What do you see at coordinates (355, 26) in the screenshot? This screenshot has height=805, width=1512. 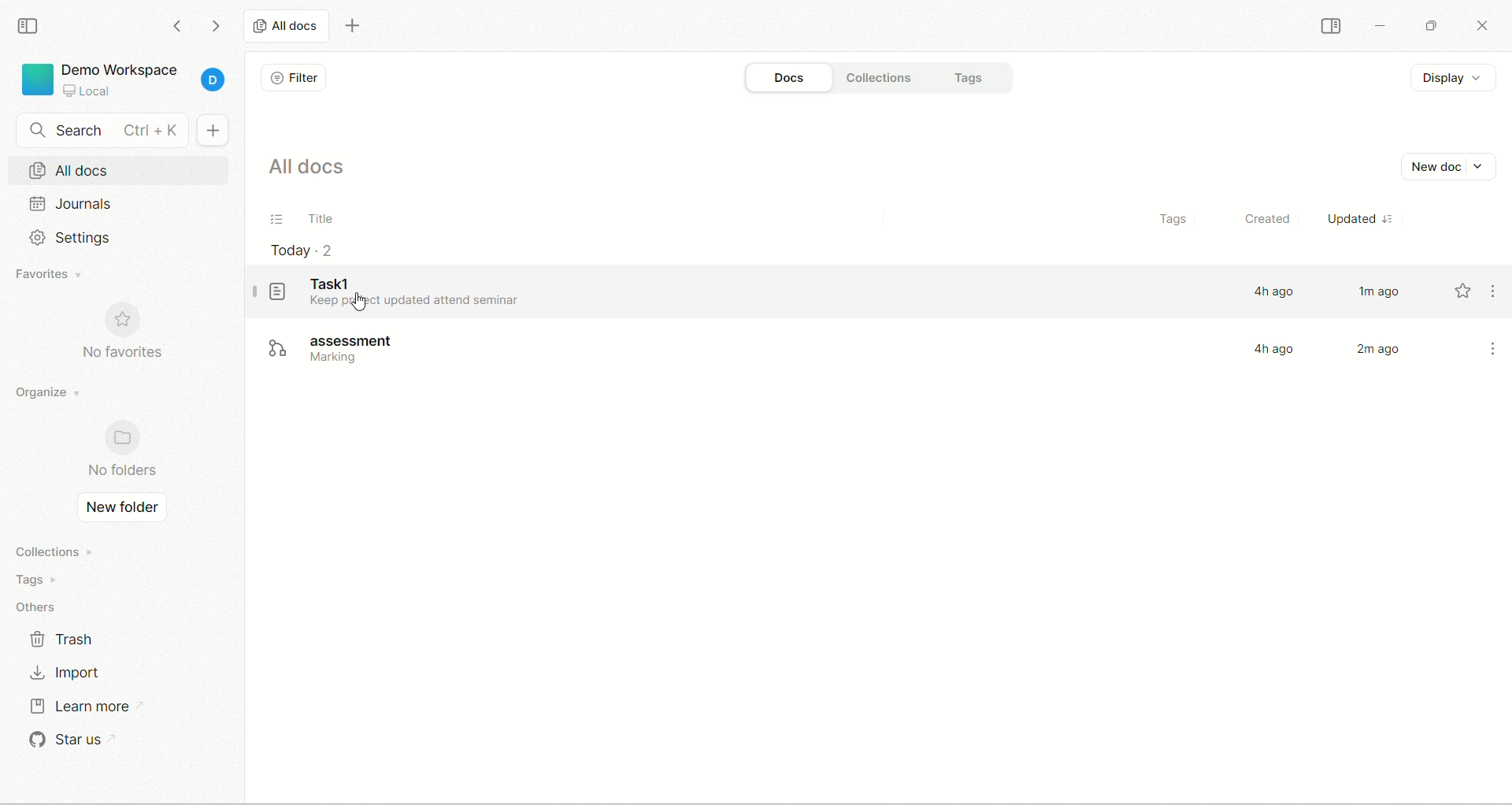 I see `new tab` at bounding box center [355, 26].